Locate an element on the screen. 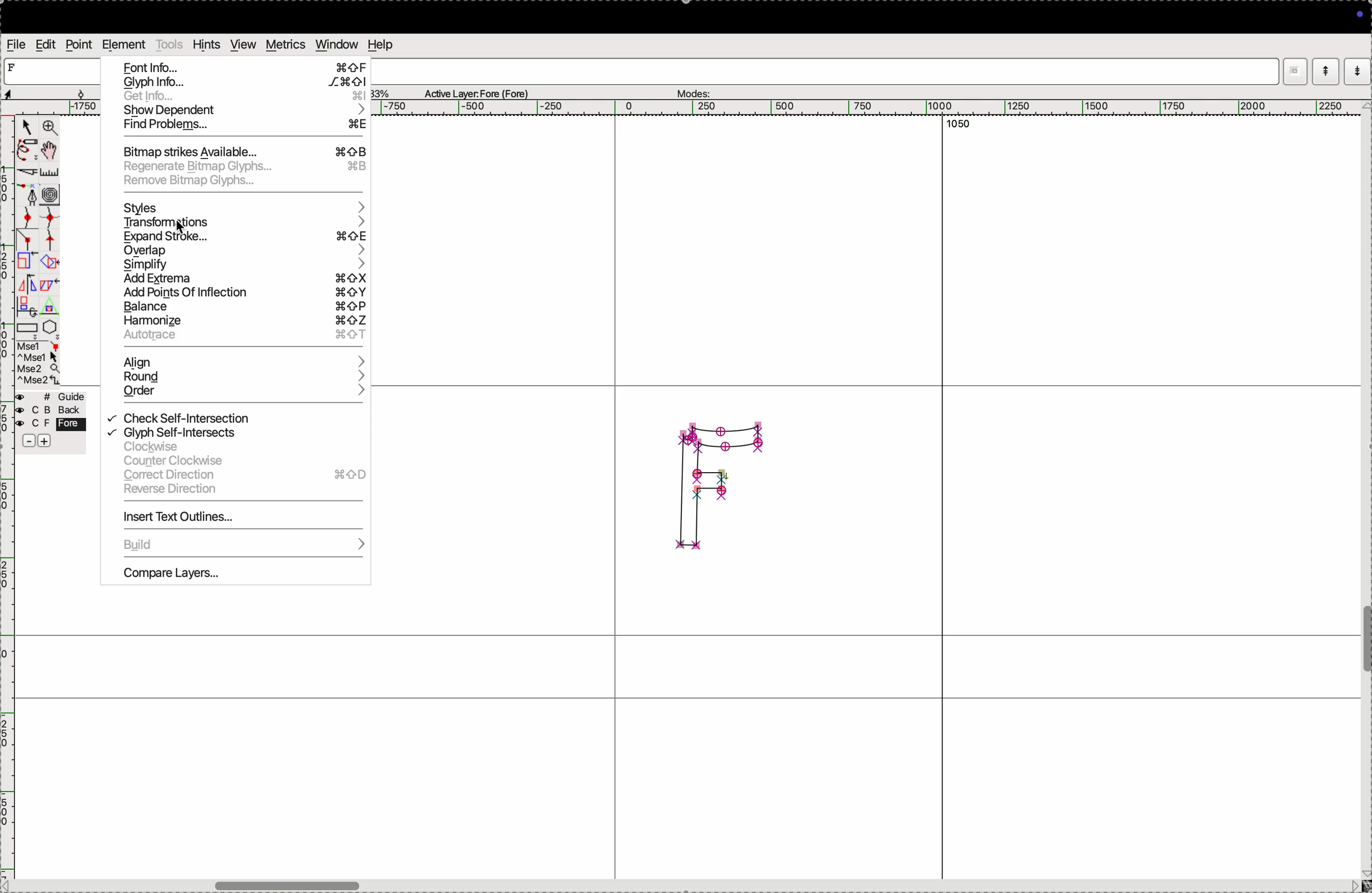 This screenshot has width=1372, height=893. duplicate is located at coordinates (24, 307).